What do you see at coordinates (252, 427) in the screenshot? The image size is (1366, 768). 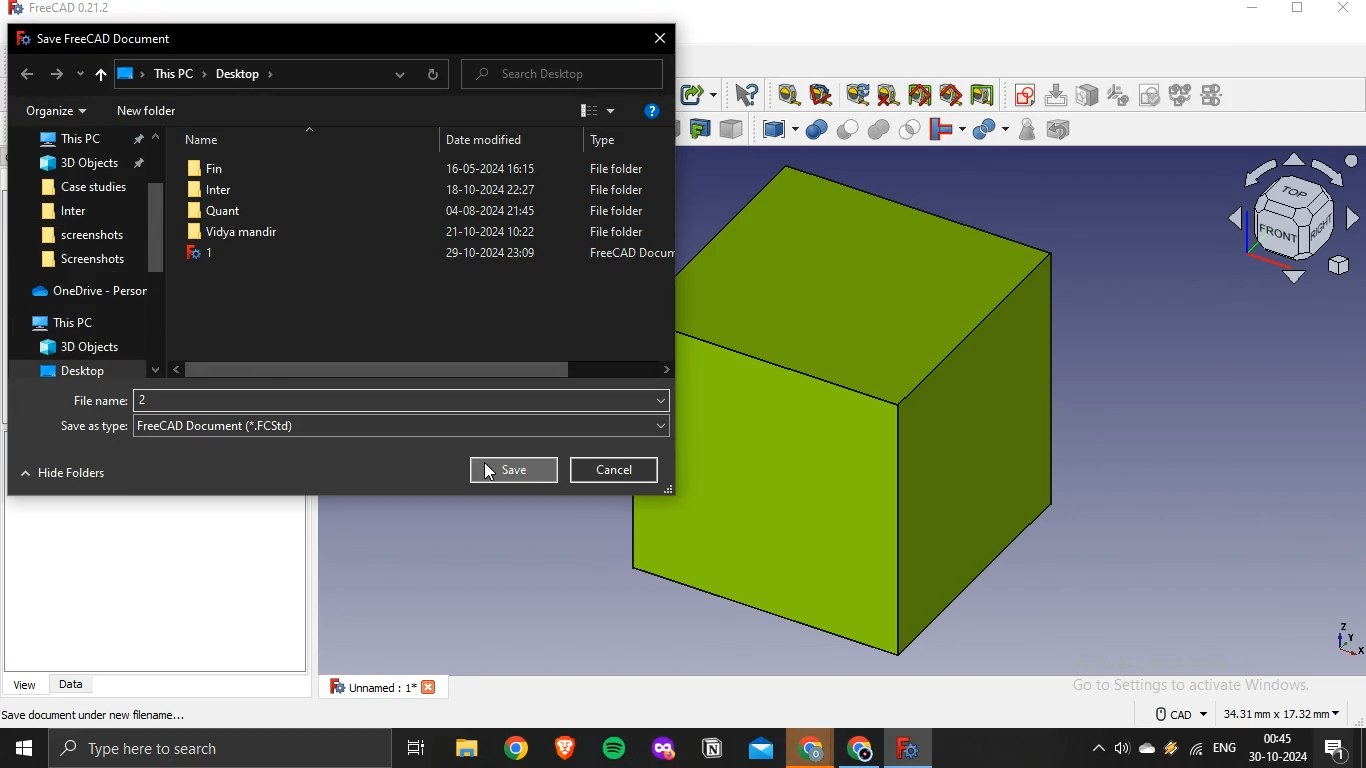 I see `freecad document` at bounding box center [252, 427].